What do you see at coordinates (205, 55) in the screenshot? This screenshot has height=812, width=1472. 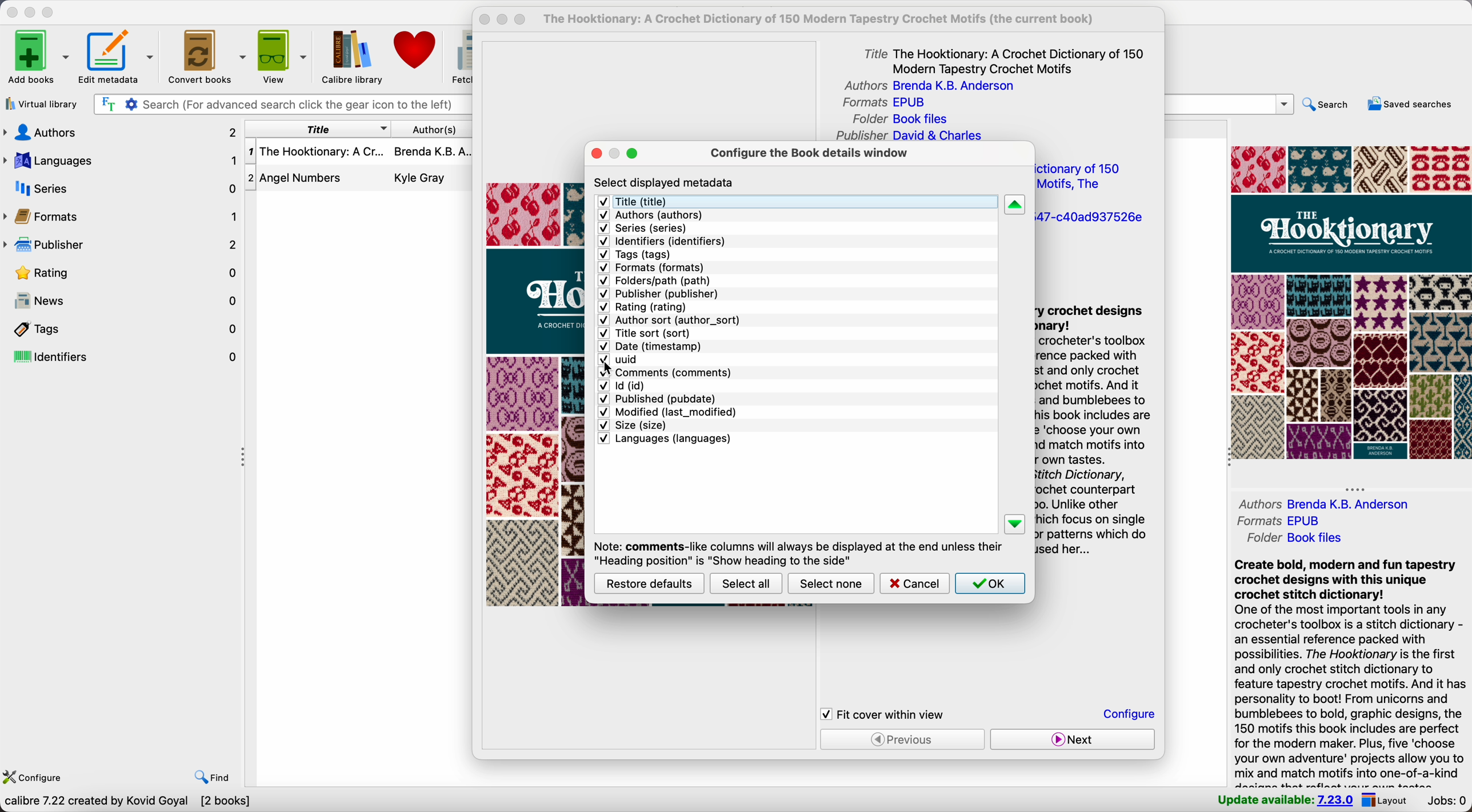 I see `convert books` at bounding box center [205, 55].